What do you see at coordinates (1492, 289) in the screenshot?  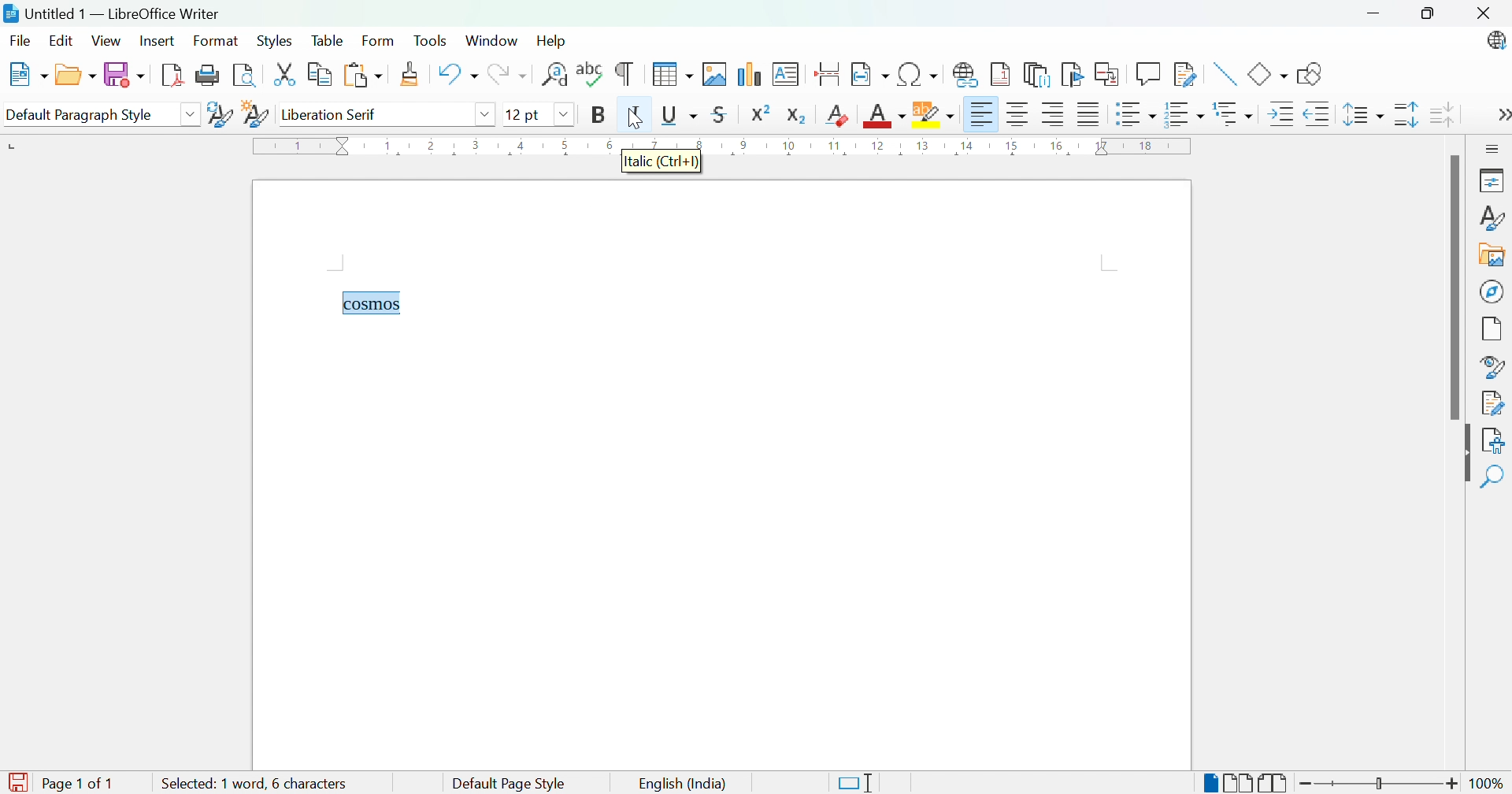 I see `Navigator` at bounding box center [1492, 289].